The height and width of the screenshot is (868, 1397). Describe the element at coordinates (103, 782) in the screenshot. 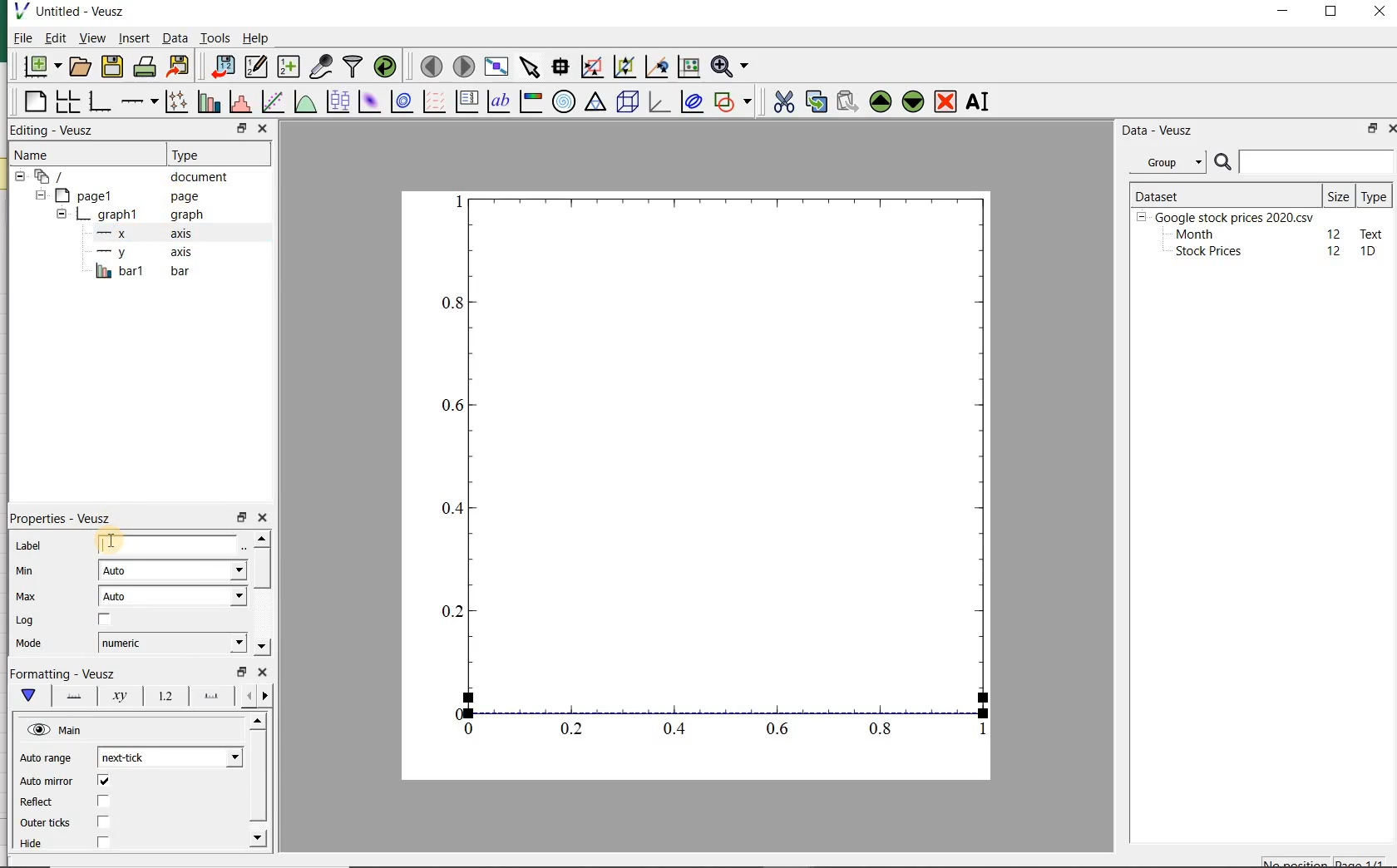

I see `check/uncheck` at that location.